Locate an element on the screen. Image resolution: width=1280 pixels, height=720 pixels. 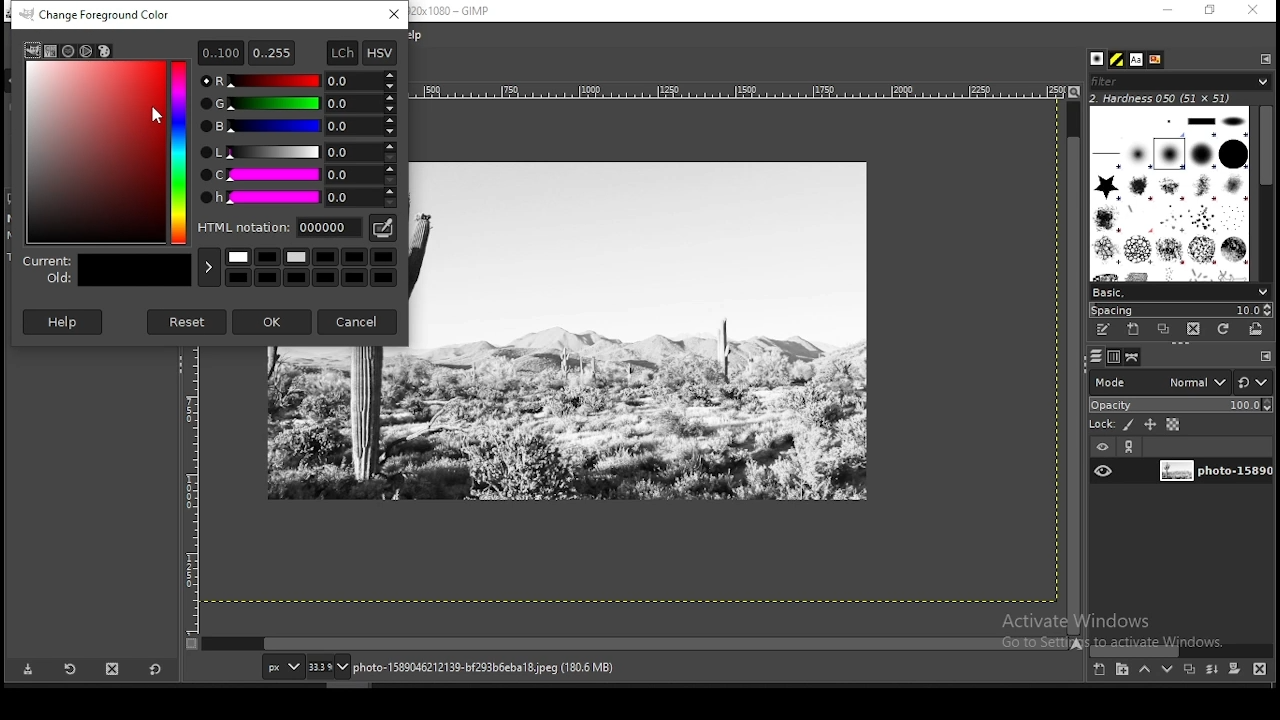
mask layer is located at coordinates (1234, 670).